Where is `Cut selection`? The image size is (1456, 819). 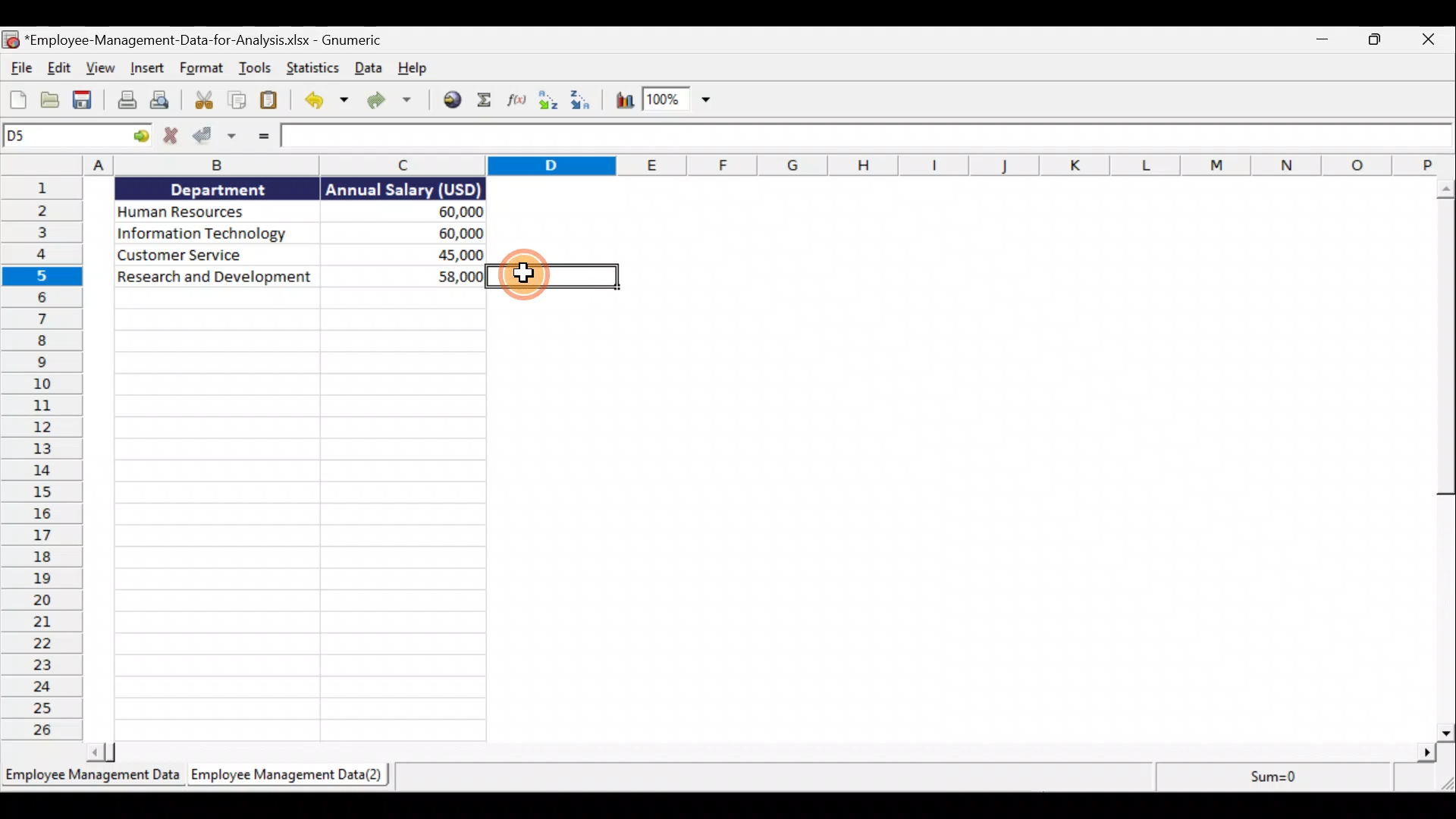 Cut selection is located at coordinates (202, 102).